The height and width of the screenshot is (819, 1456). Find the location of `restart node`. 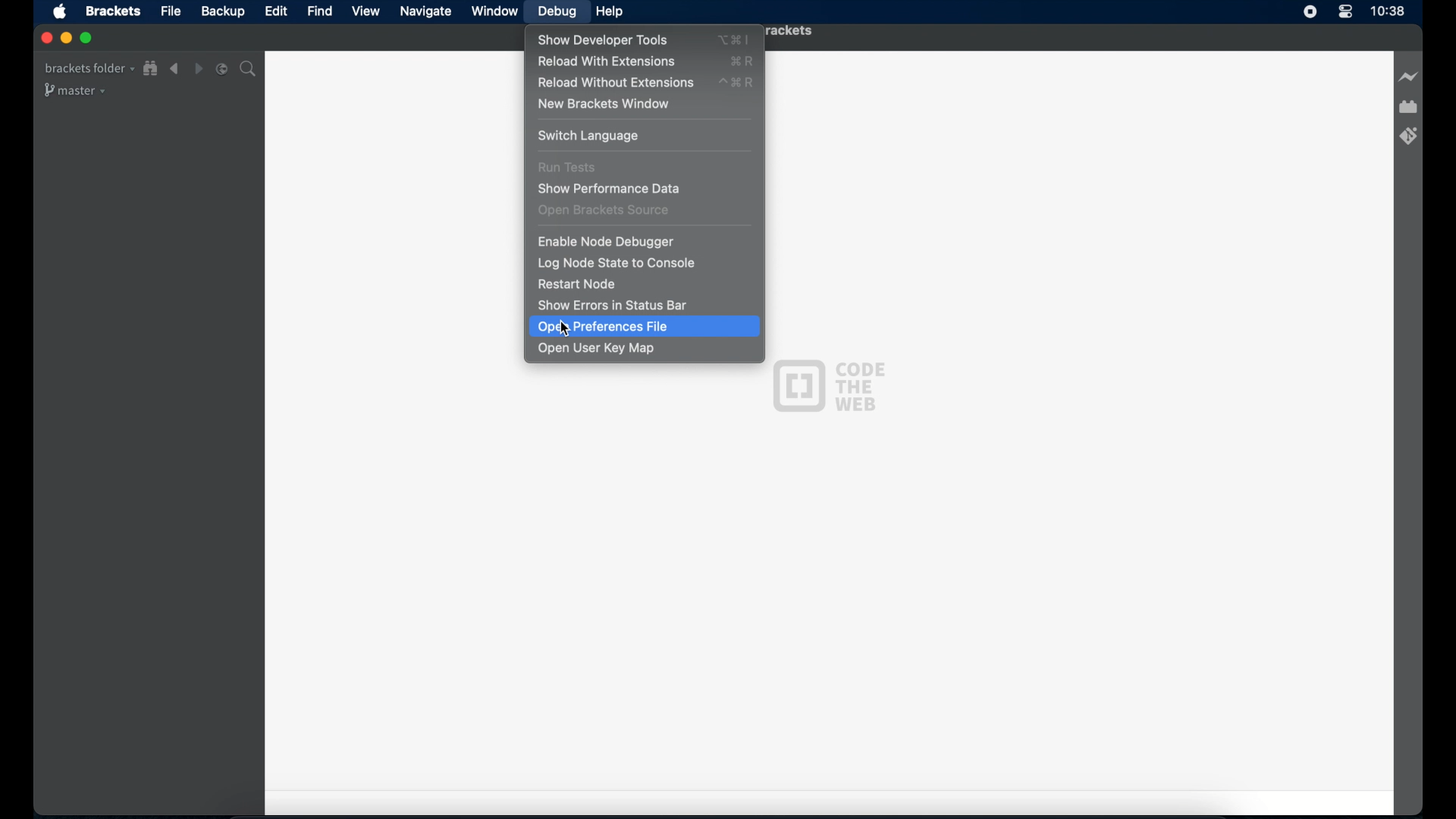

restart node is located at coordinates (577, 284).